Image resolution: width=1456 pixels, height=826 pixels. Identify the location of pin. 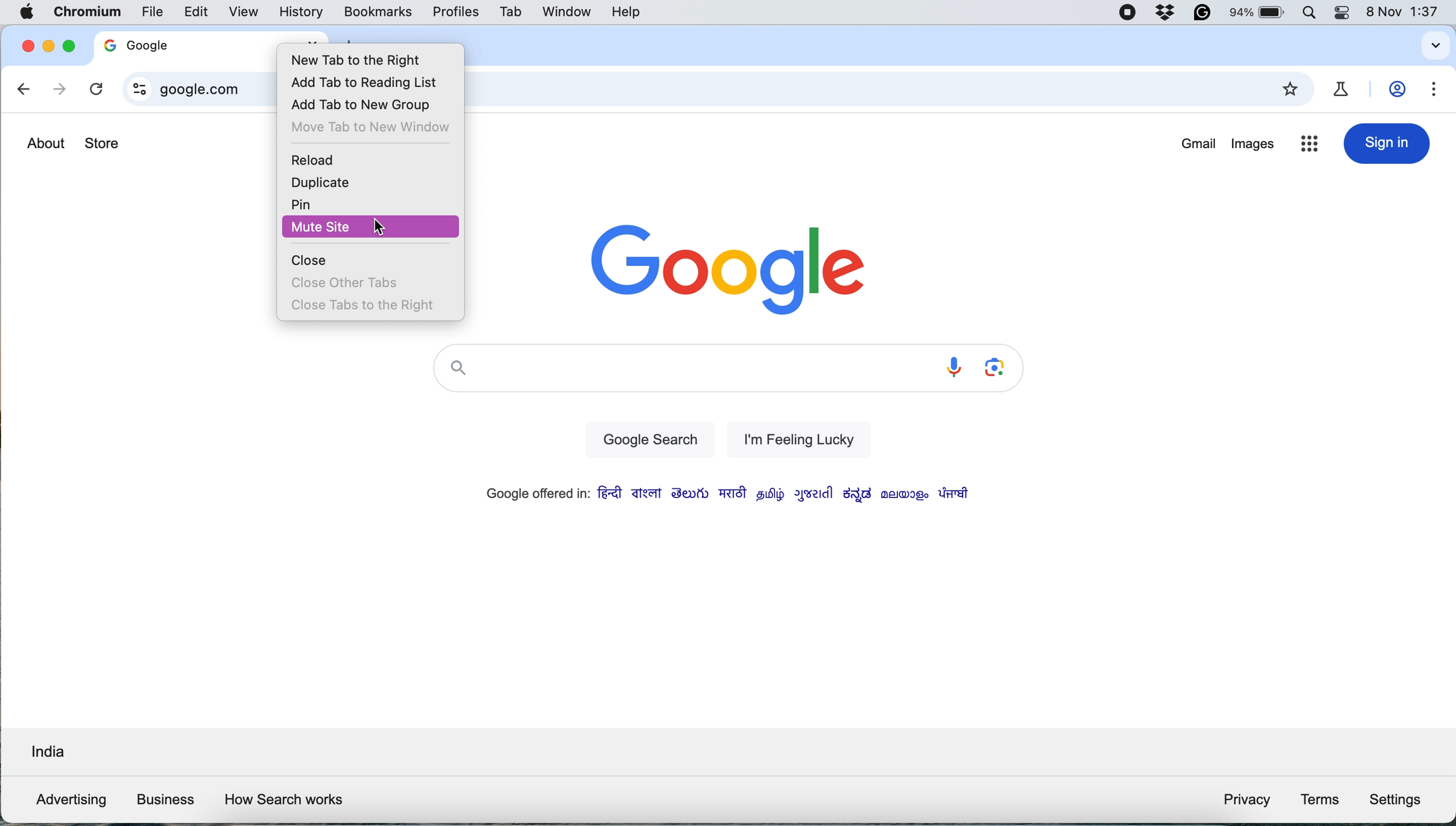
(305, 203).